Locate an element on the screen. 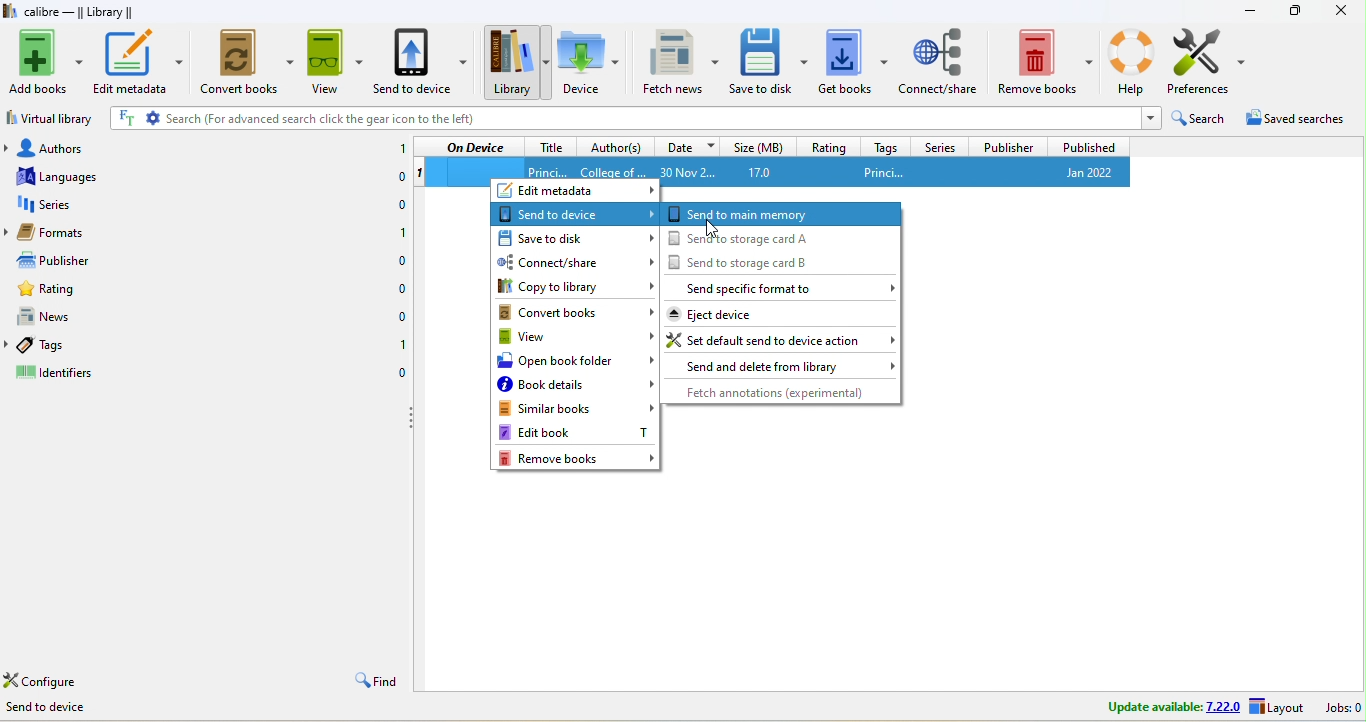  remove books is located at coordinates (578, 458).